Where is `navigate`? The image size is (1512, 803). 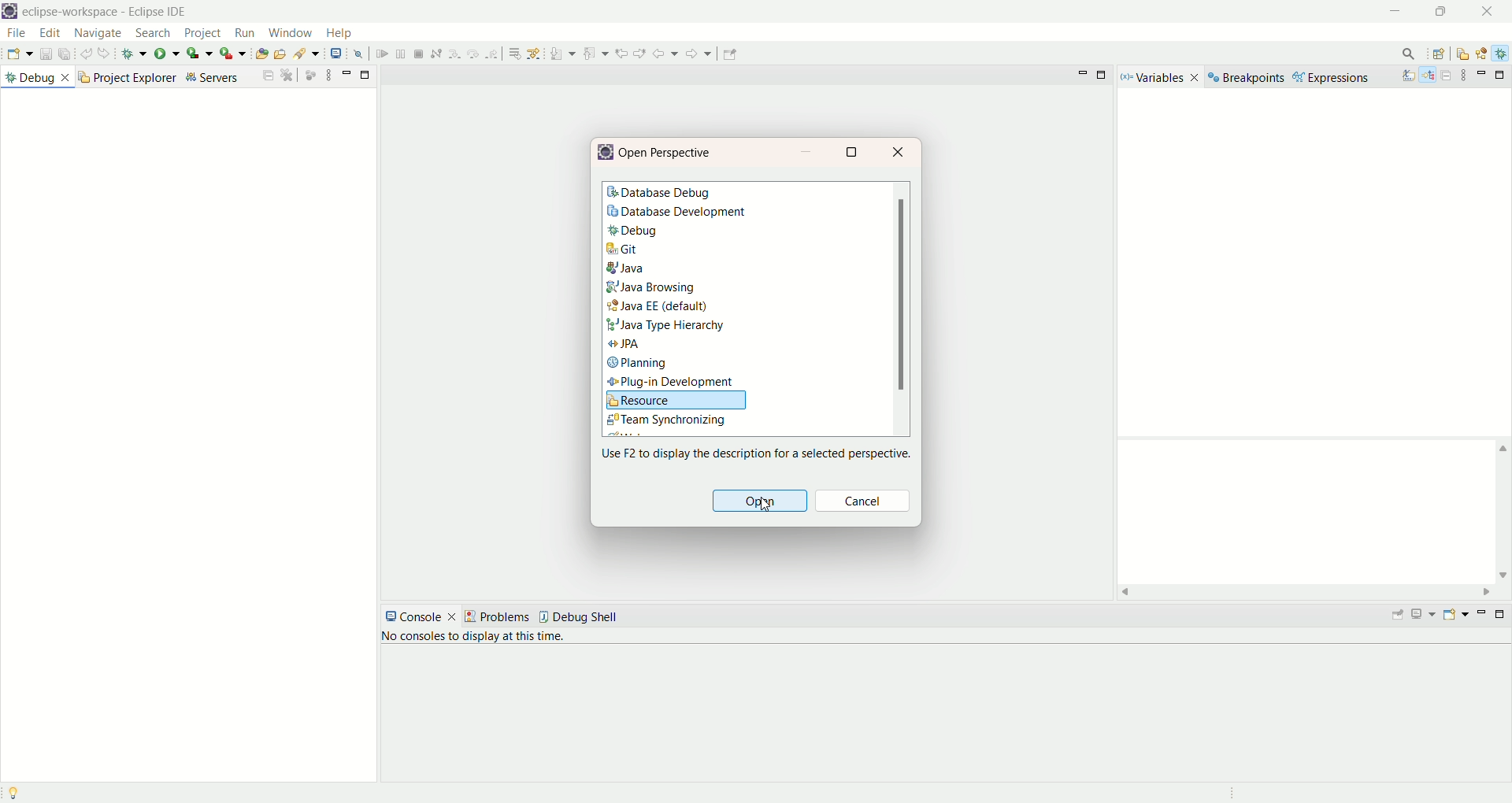
navigate is located at coordinates (100, 35).